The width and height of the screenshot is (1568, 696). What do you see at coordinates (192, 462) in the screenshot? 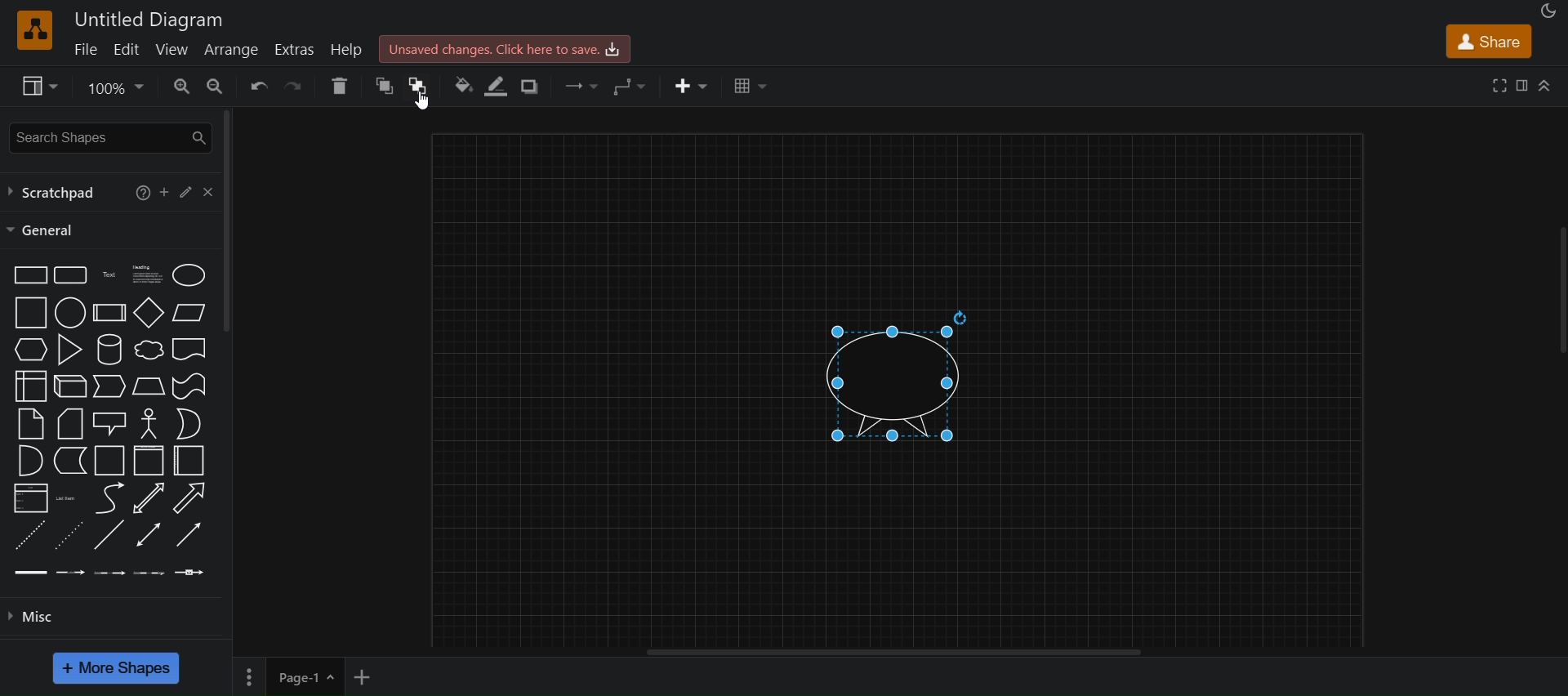
I see `container` at bounding box center [192, 462].